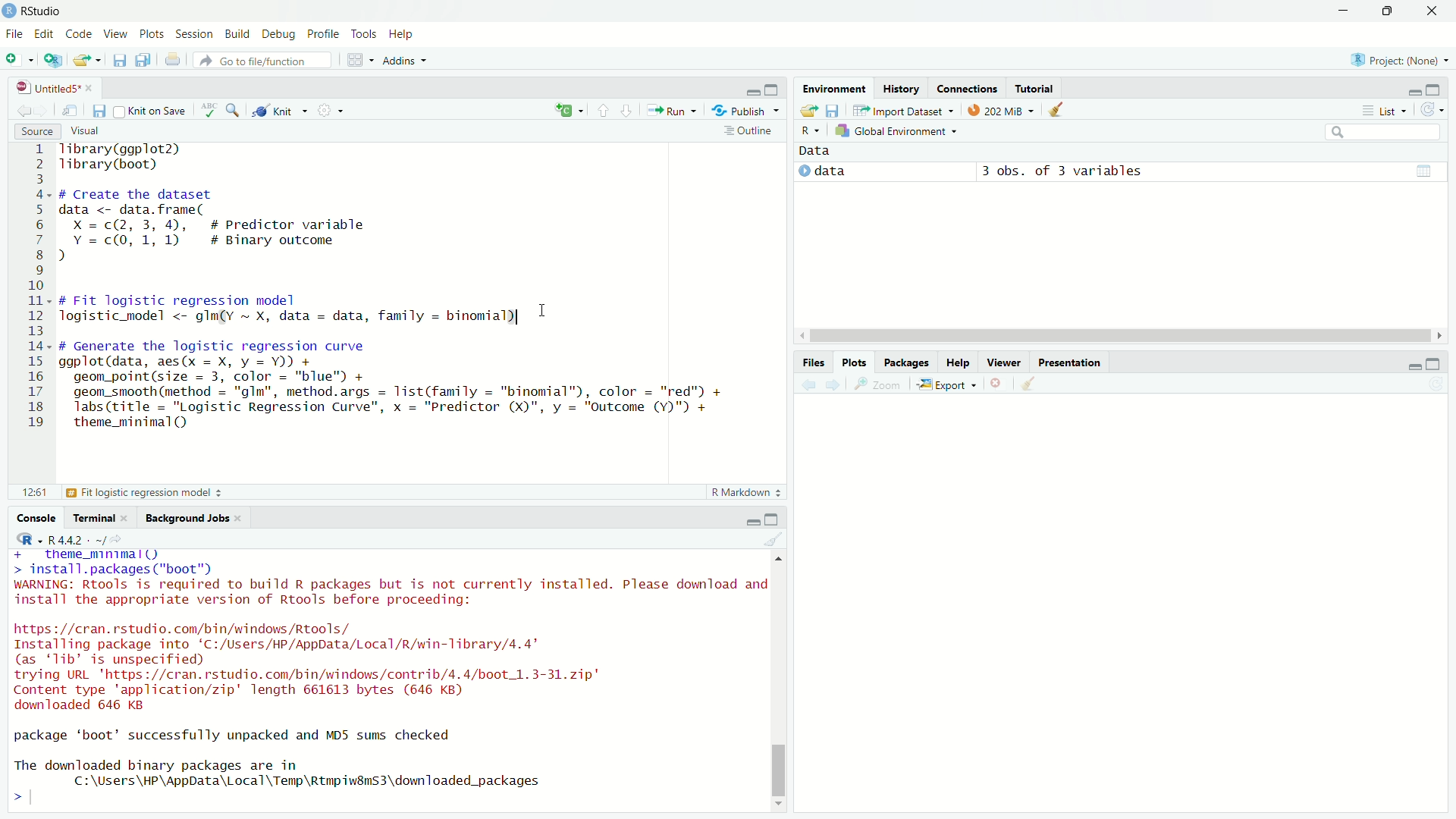  Describe the element at coordinates (1433, 90) in the screenshot. I see `maximize` at that location.